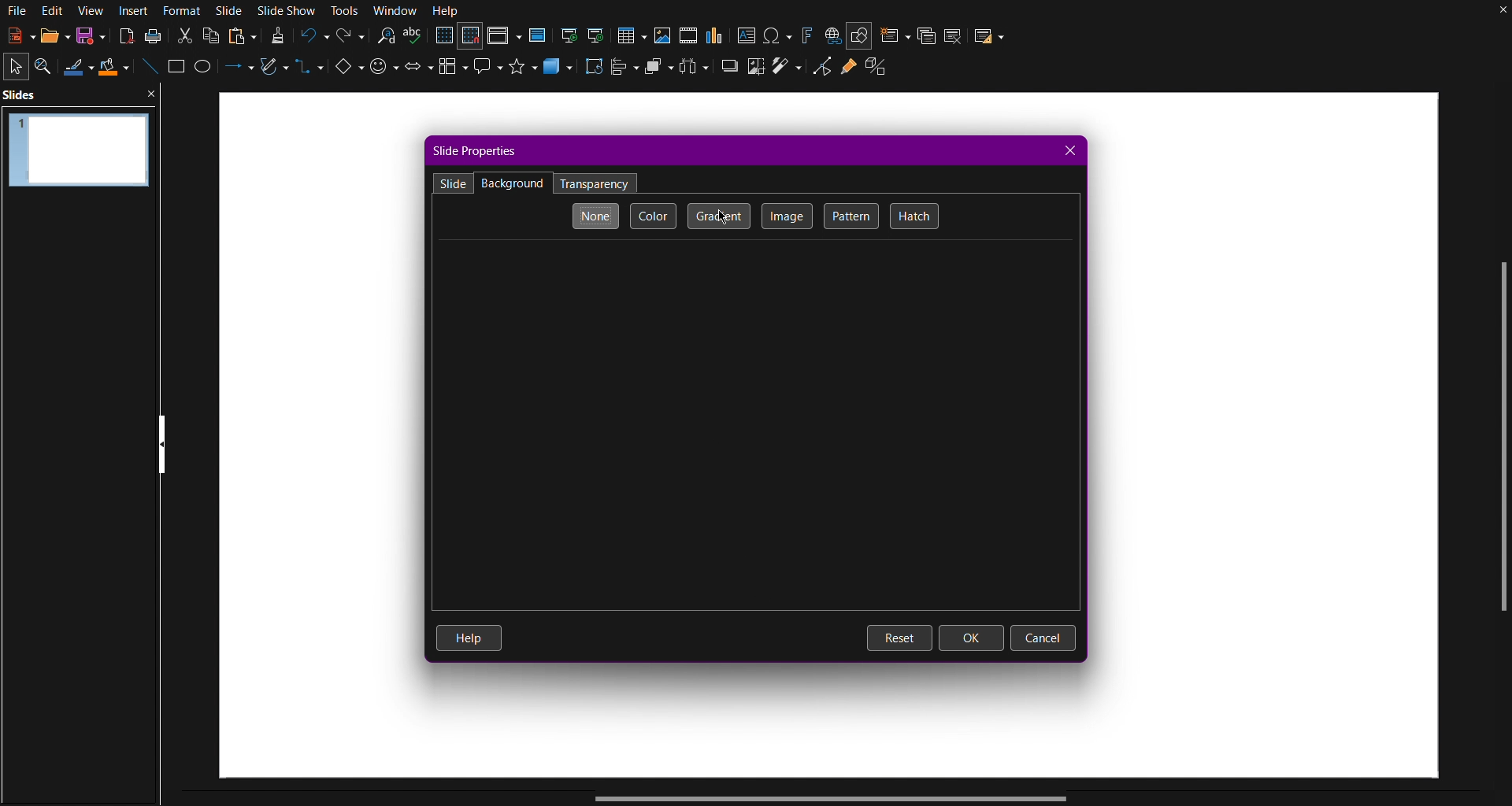 The width and height of the screenshot is (1512, 806). I want to click on Close, so click(1503, 13).